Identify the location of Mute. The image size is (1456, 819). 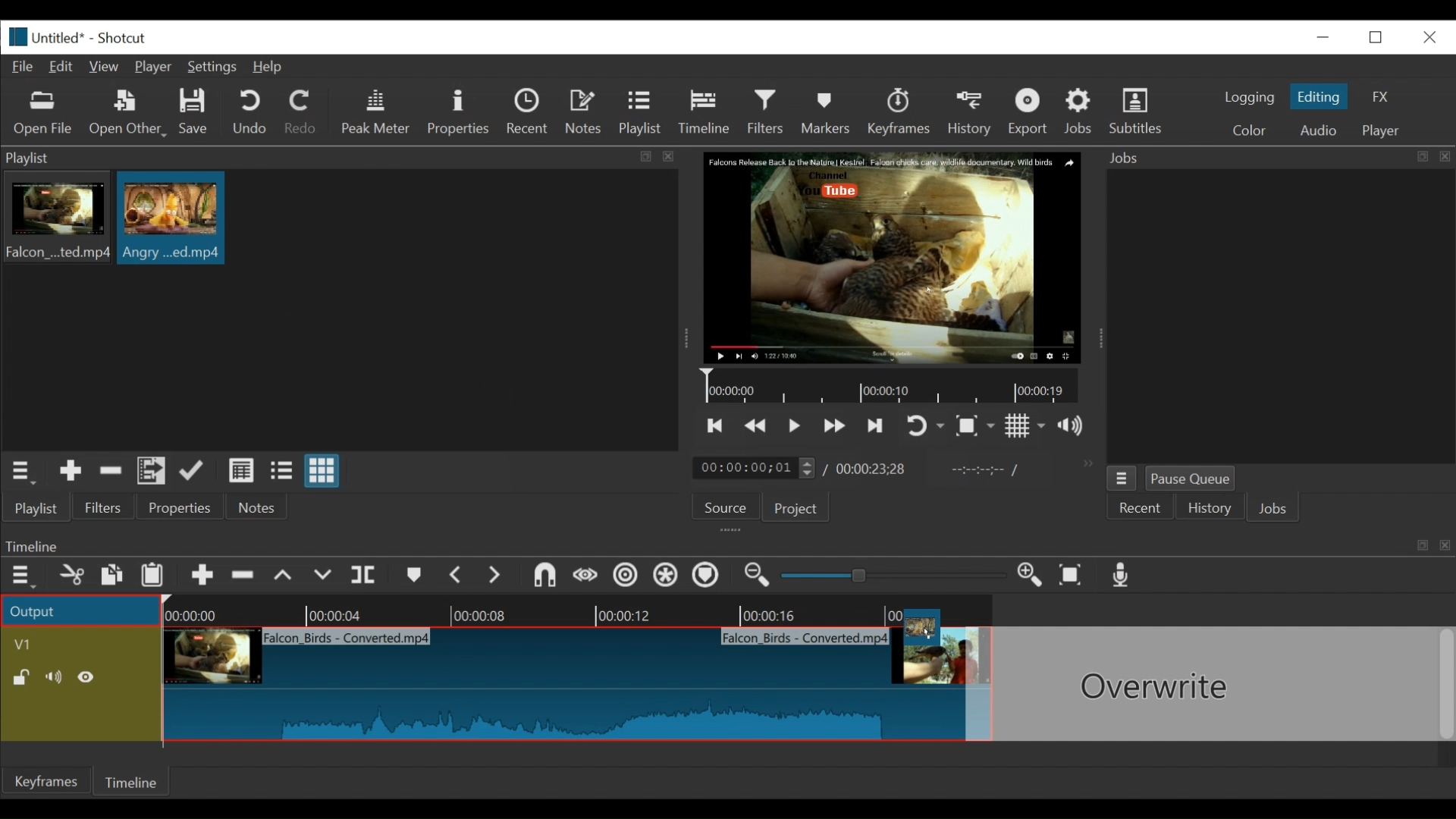
(57, 677).